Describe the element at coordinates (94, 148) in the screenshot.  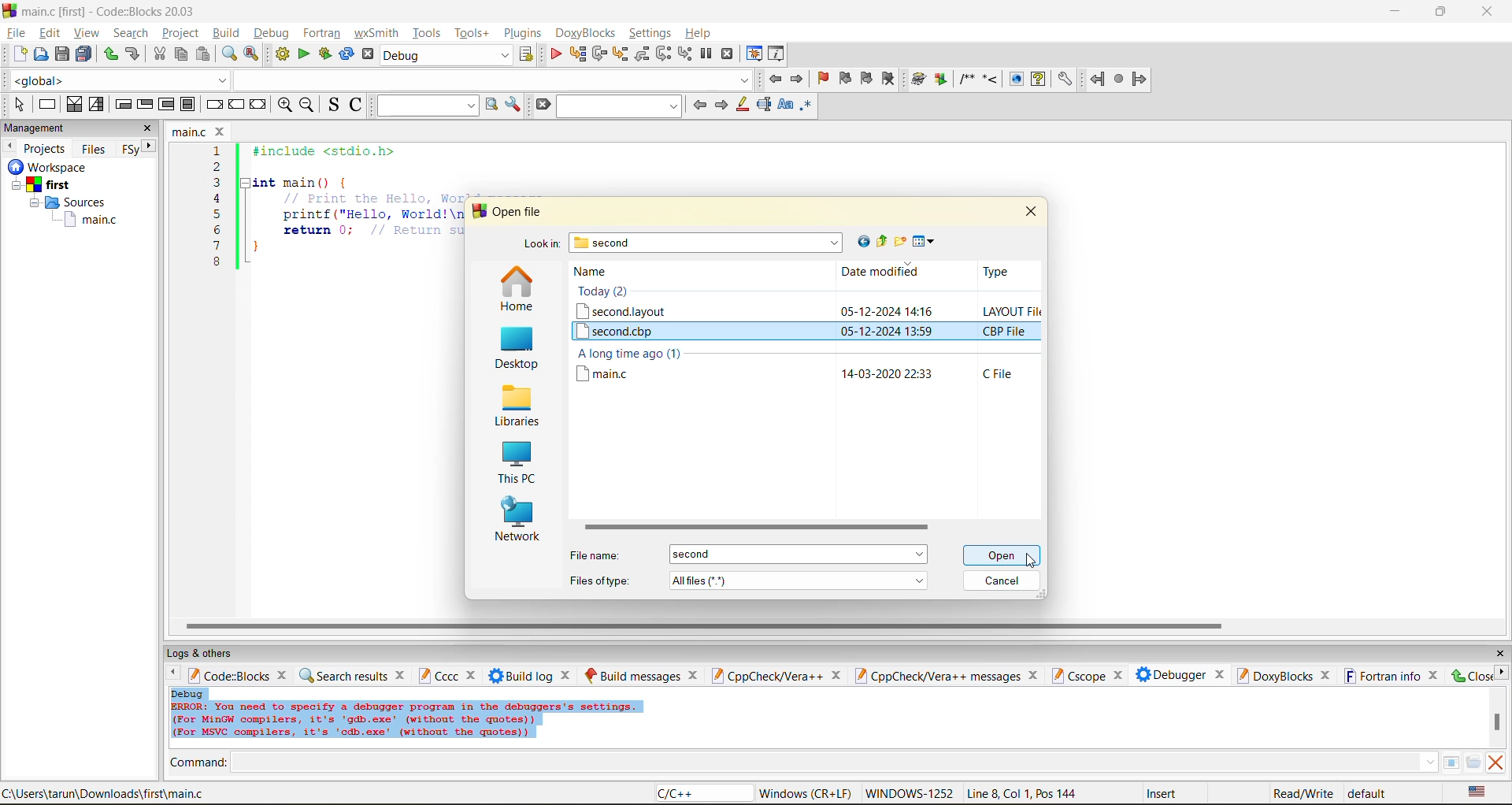
I see `files` at that location.